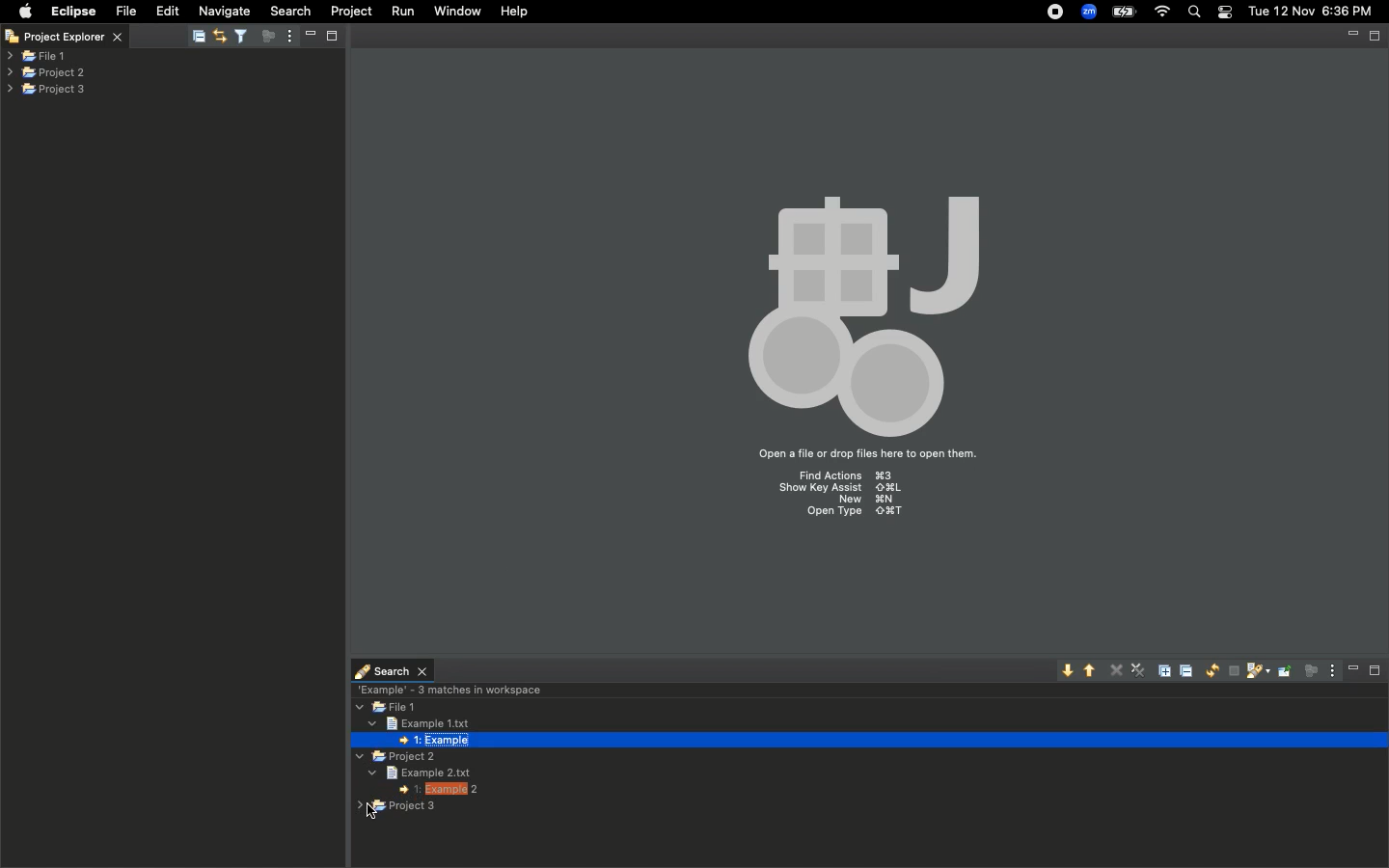 The image size is (1389, 868). What do you see at coordinates (288, 38) in the screenshot?
I see `View menu` at bounding box center [288, 38].